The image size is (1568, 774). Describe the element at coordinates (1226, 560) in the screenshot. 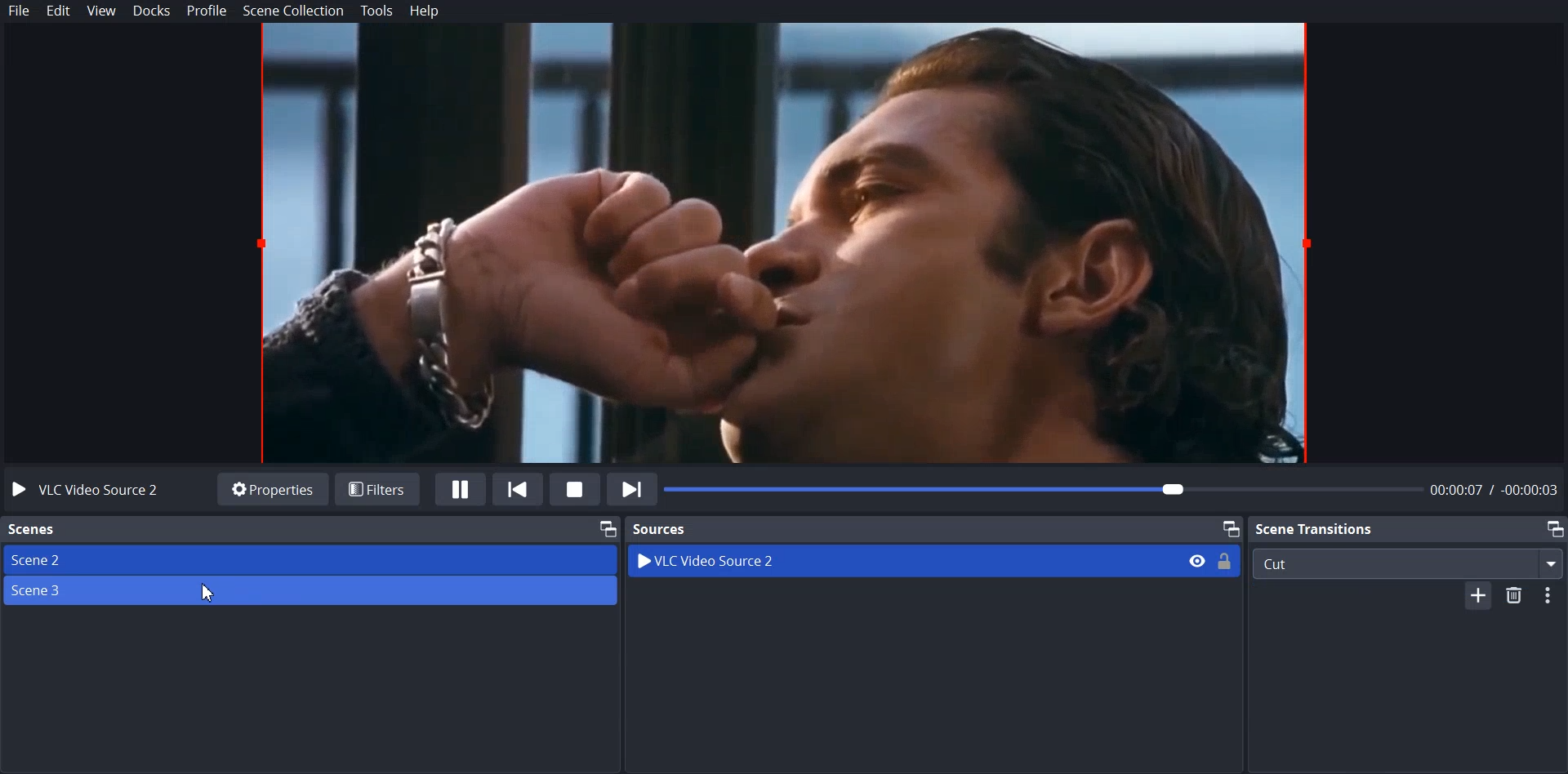

I see `Lock` at that location.